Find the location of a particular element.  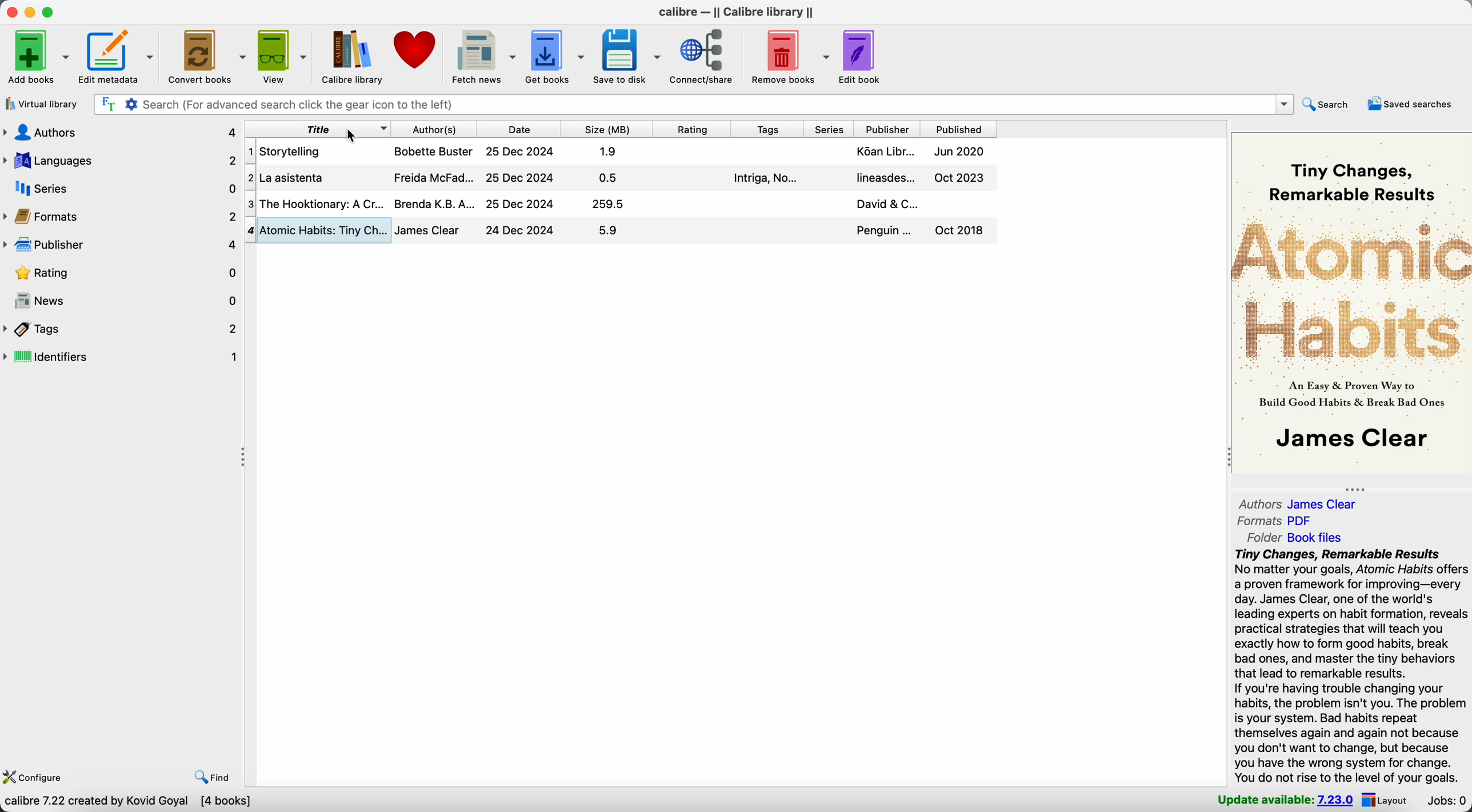

tiny changes, remarkable results - synopsis is located at coordinates (1349, 665).